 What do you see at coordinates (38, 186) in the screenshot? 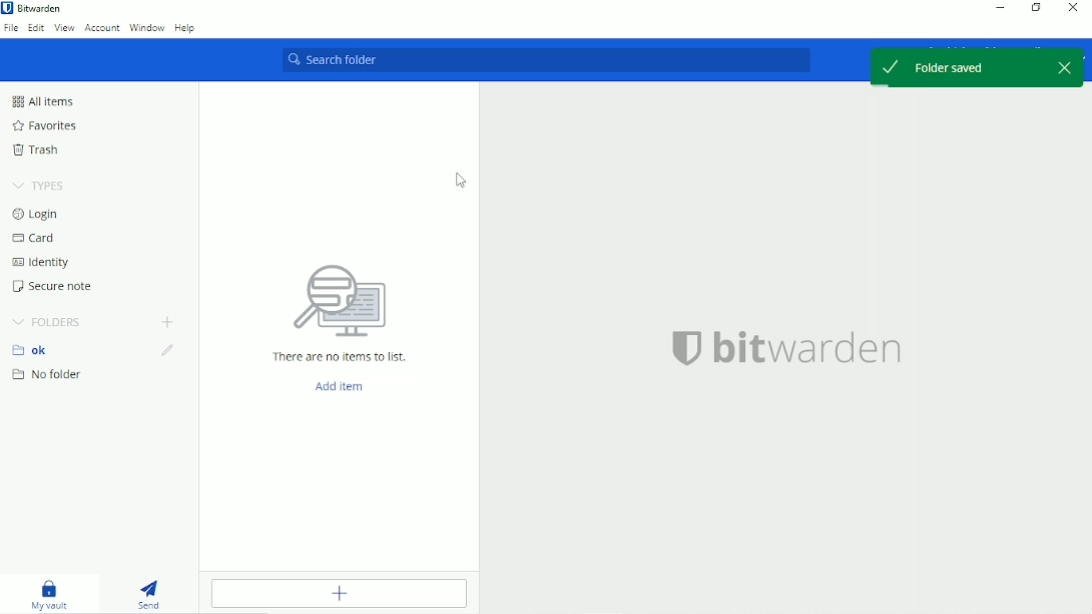
I see `Types` at bounding box center [38, 186].